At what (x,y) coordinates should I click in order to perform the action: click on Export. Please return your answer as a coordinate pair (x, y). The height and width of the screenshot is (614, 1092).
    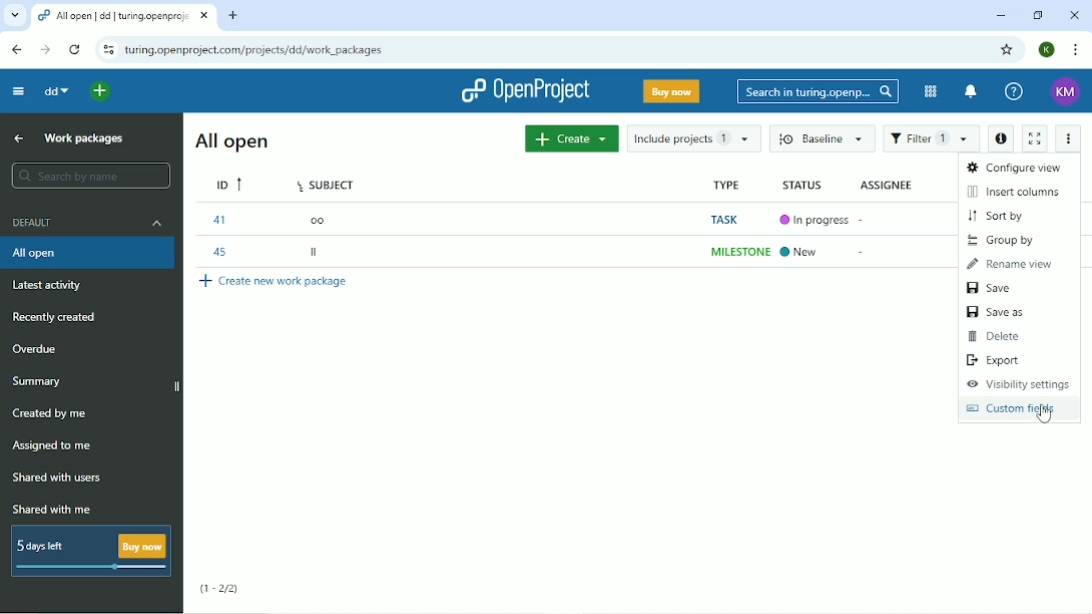
    Looking at the image, I should click on (997, 361).